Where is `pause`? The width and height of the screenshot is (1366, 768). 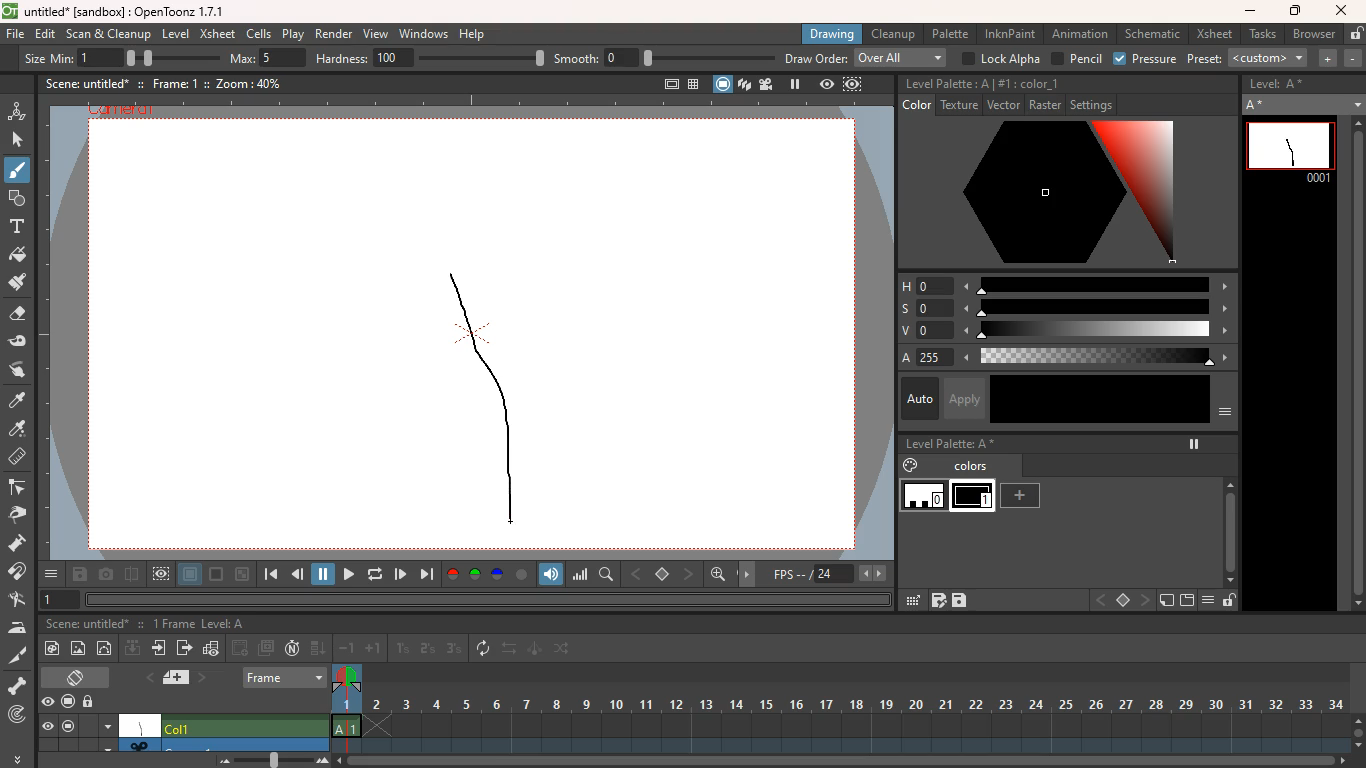
pause is located at coordinates (324, 573).